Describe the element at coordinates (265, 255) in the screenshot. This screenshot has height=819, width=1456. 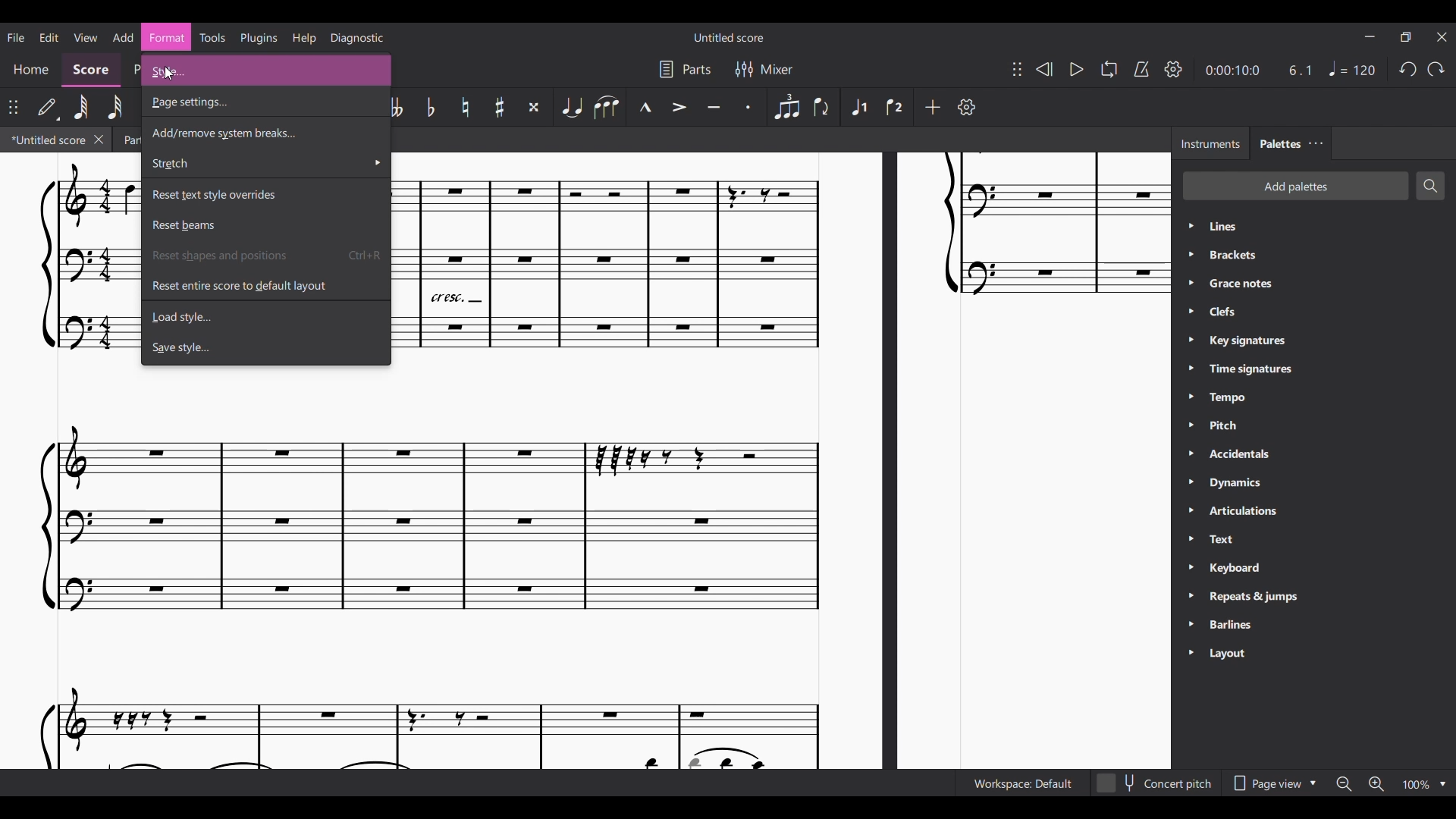
I see `Reset shapes and positions` at that location.